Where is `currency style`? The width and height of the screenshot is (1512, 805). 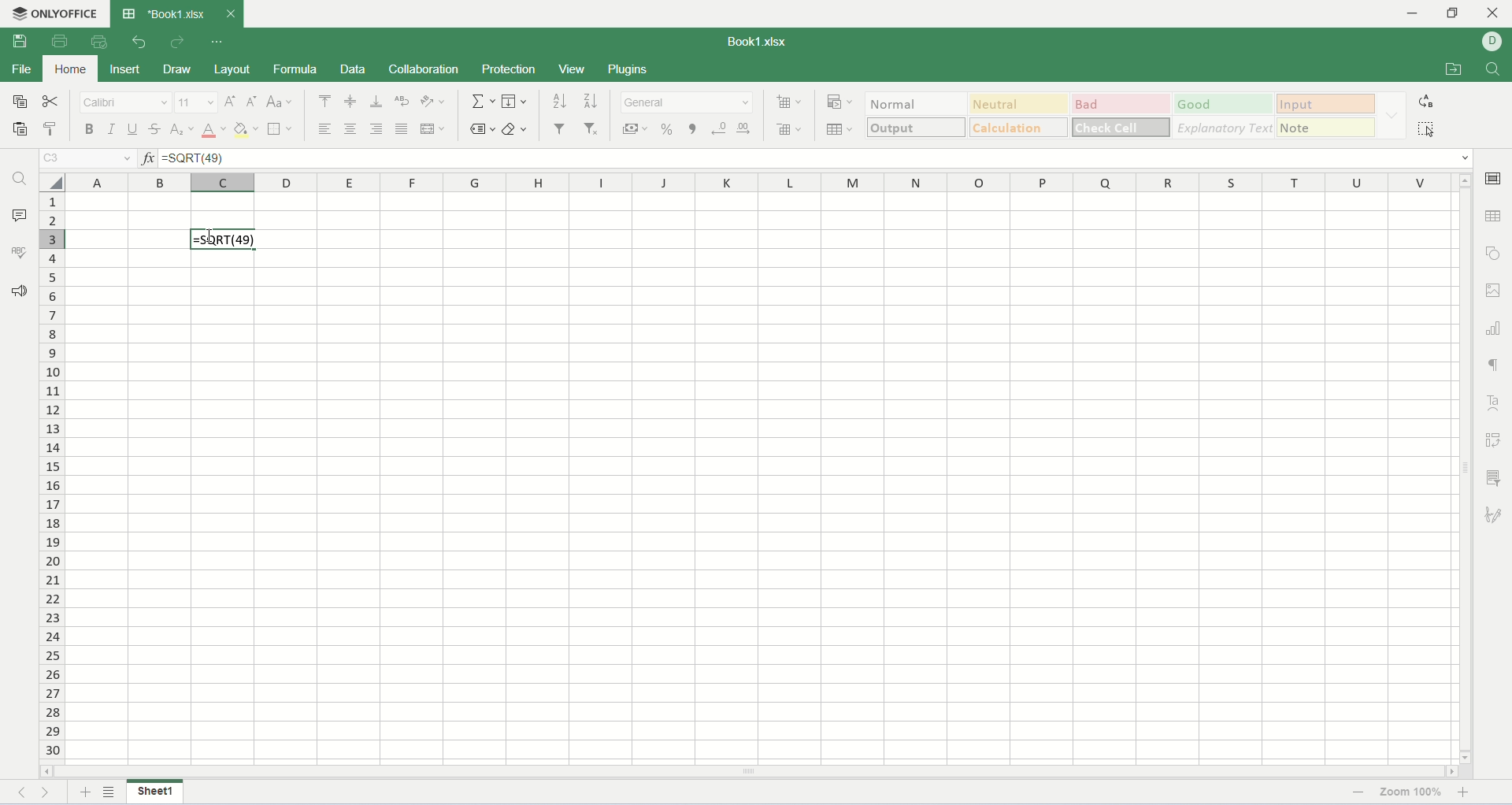
currency style is located at coordinates (639, 128).